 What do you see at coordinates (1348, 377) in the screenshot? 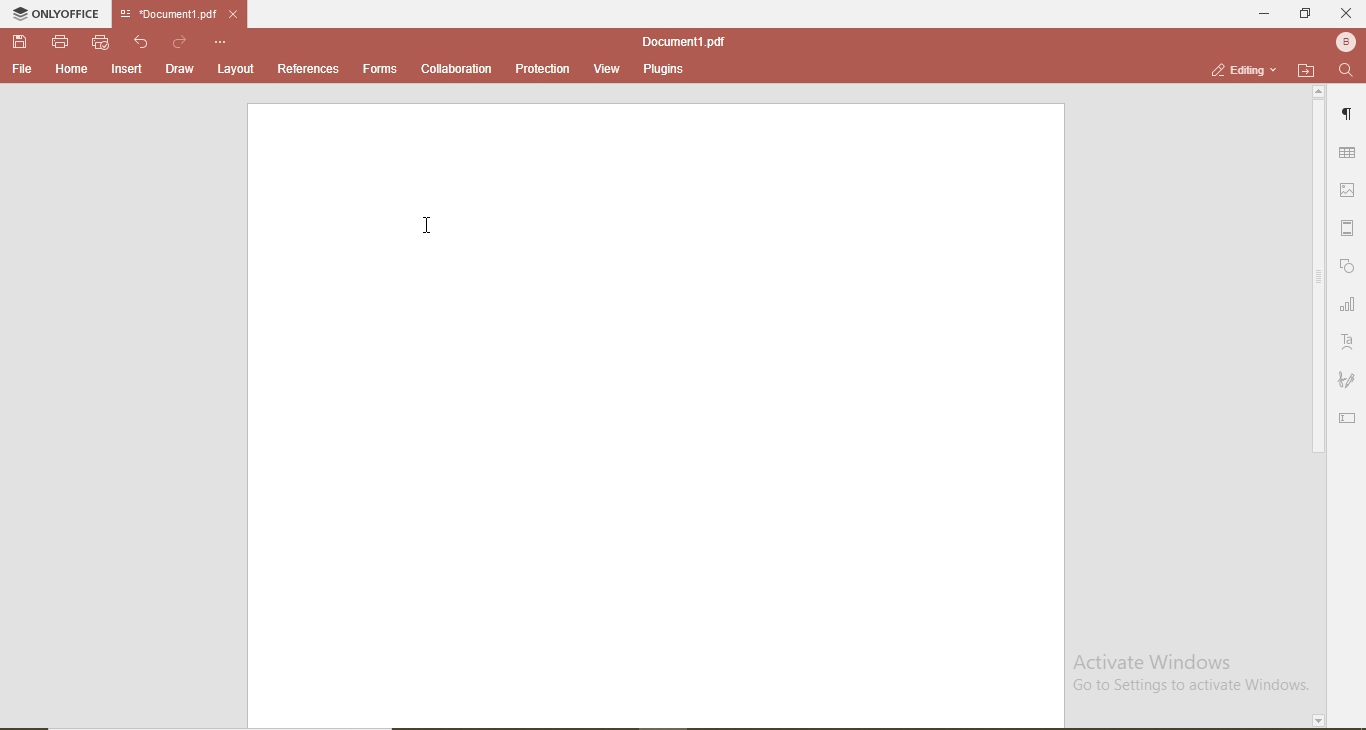
I see `signature` at bounding box center [1348, 377].